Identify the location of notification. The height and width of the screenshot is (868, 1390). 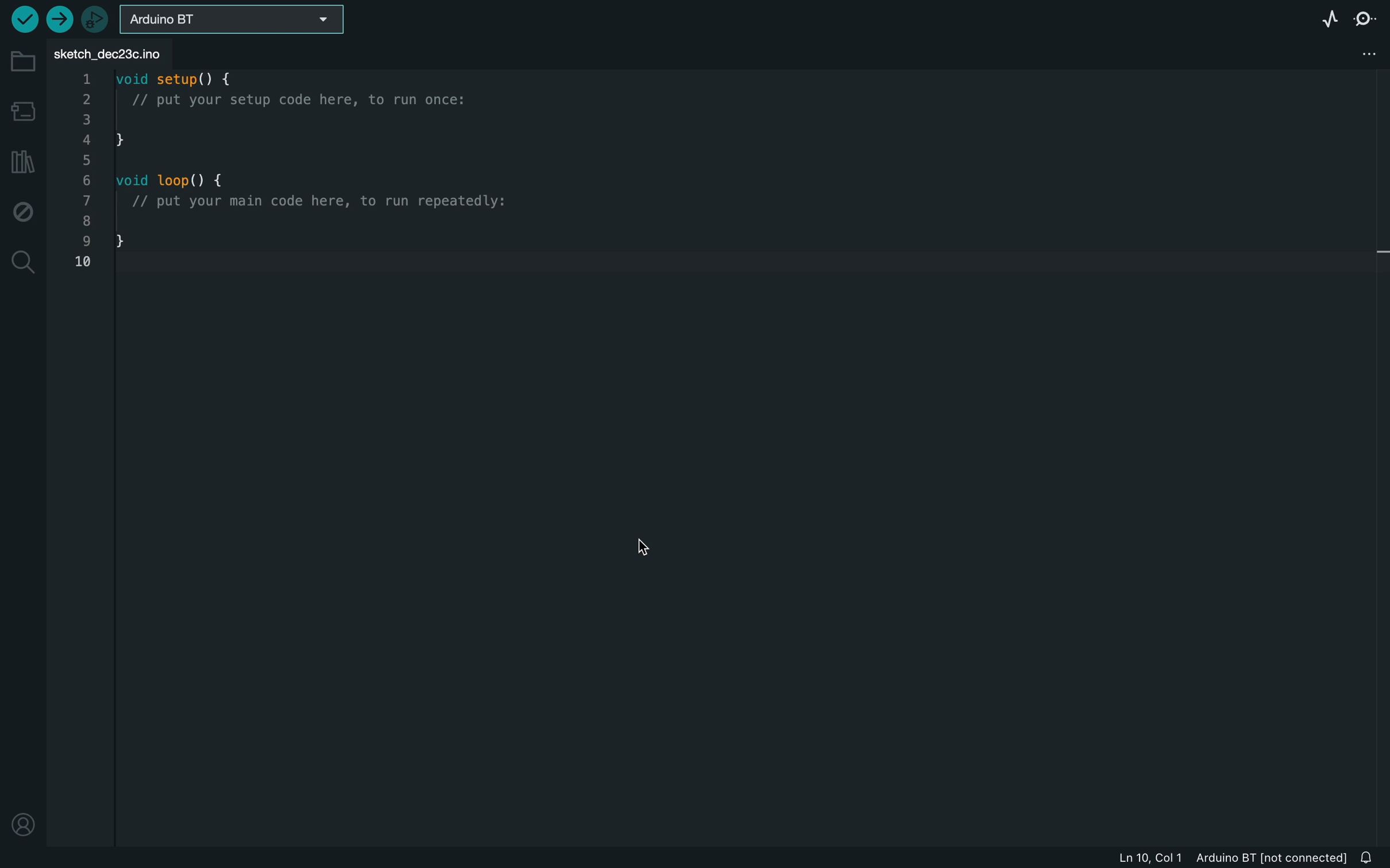
(1368, 858).